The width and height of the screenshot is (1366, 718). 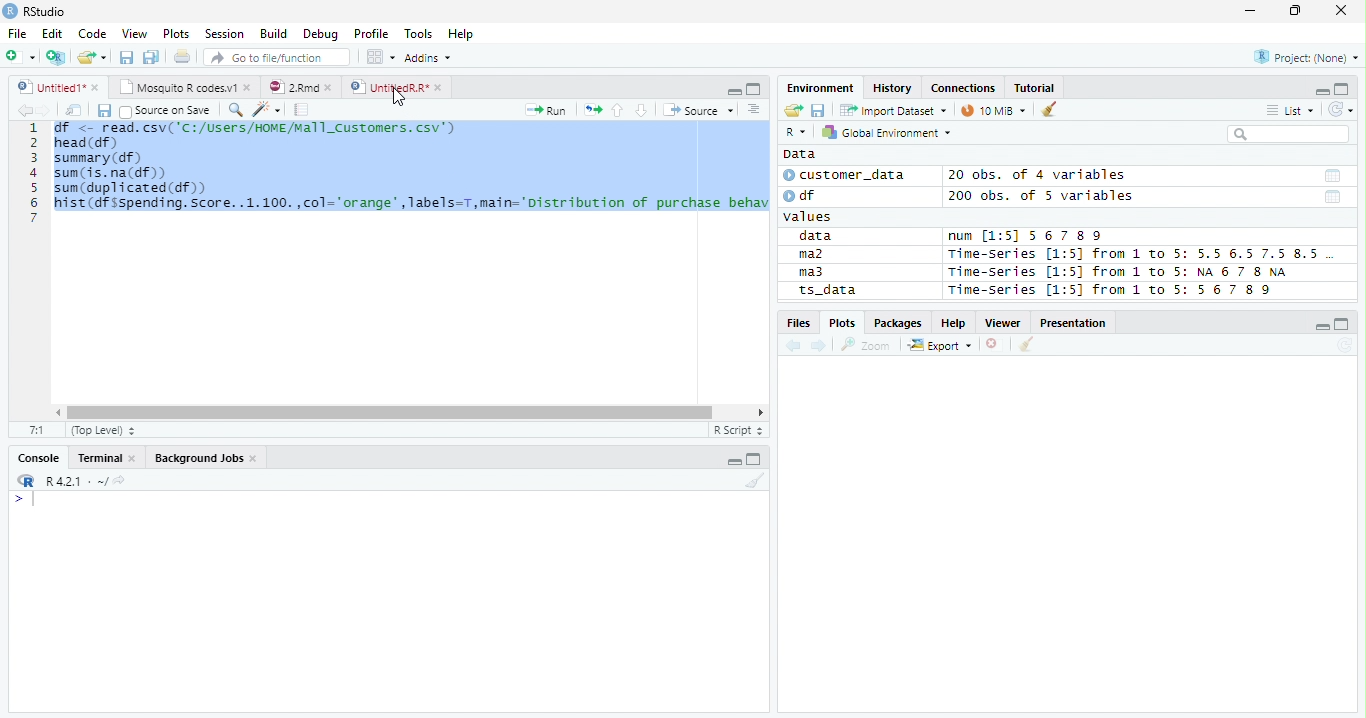 I want to click on Tutorial, so click(x=1035, y=87).